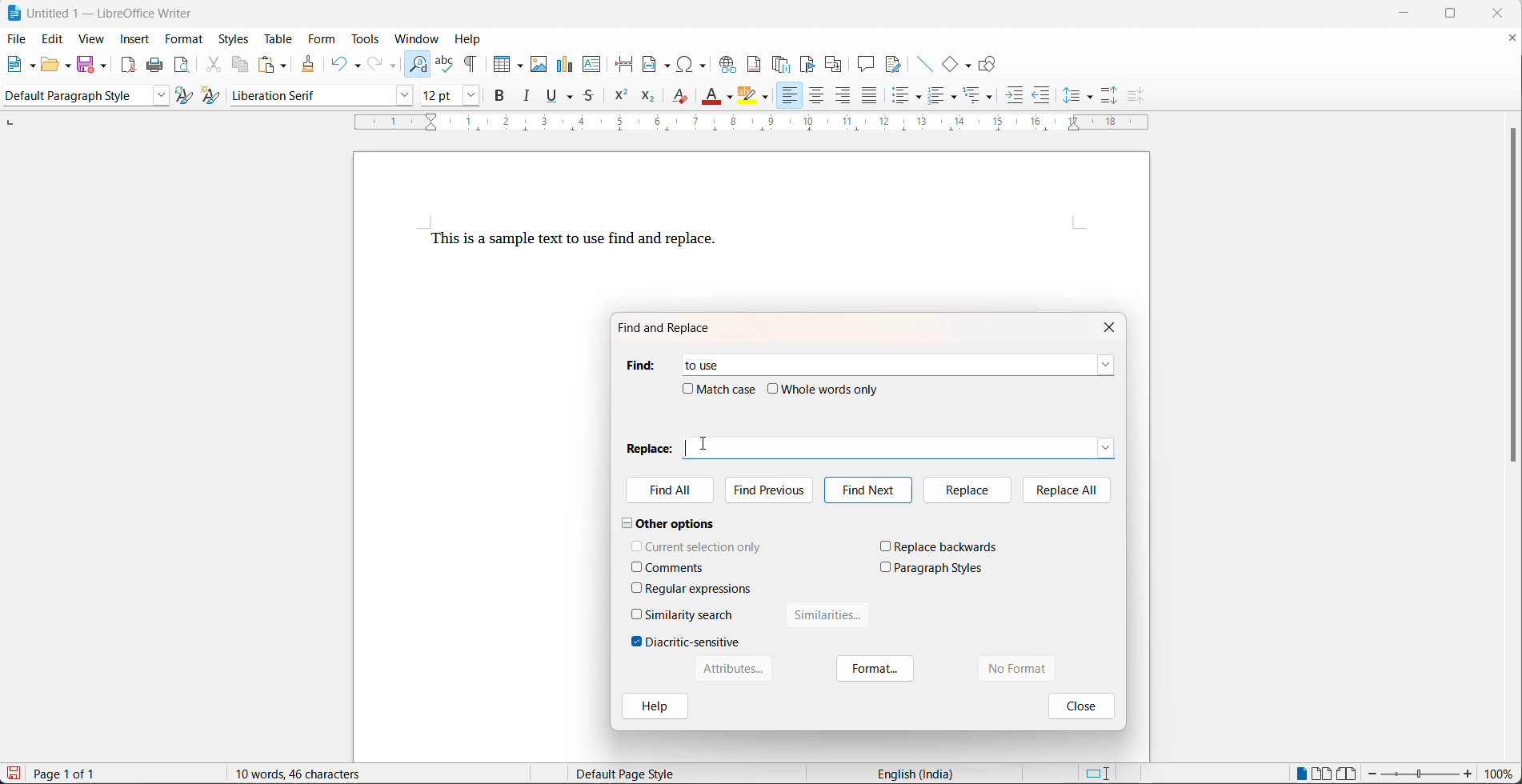 Image resolution: width=1522 pixels, height=784 pixels. I want to click on help, so click(654, 708).